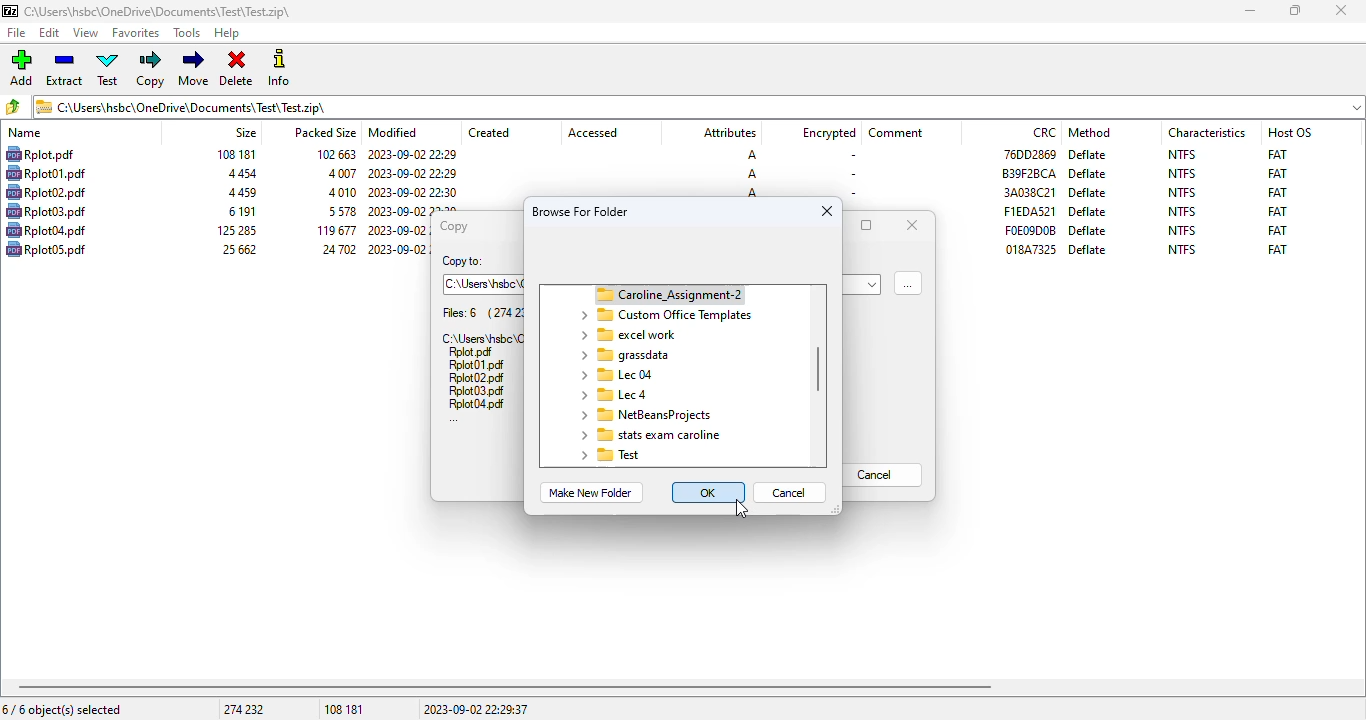  I want to click on NTFS, so click(1181, 249).